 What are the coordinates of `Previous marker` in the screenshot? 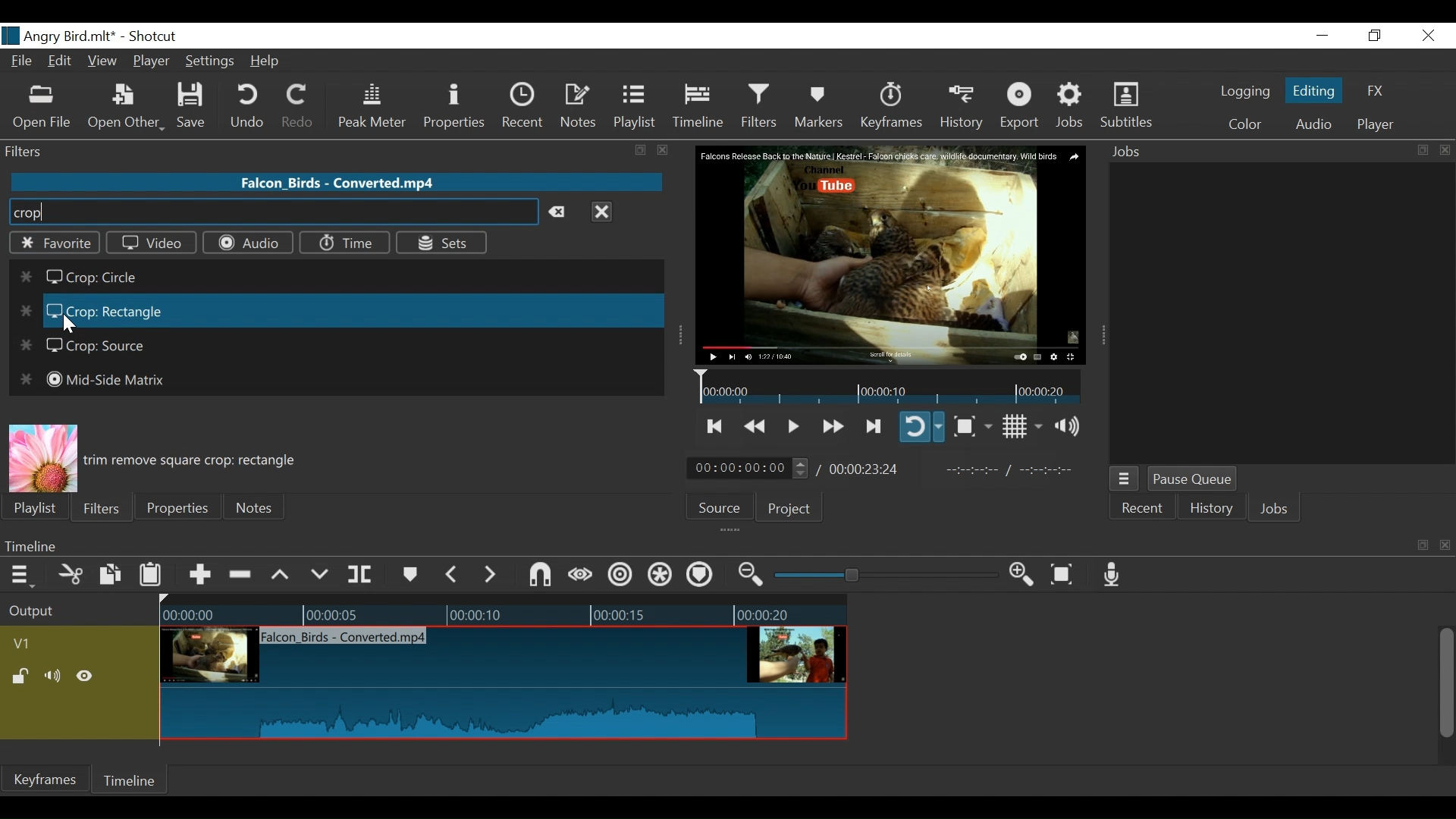 It's located at (452, 574).